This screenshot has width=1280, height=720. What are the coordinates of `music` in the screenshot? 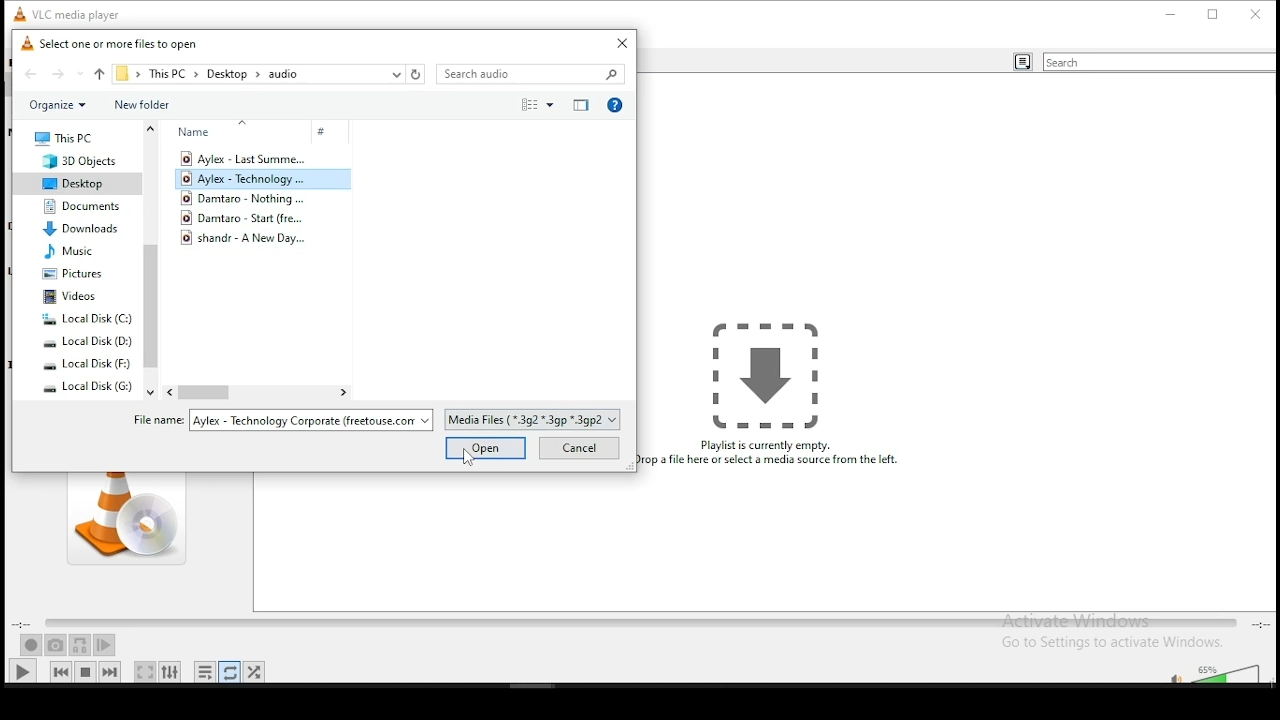 It's located at (69, 252).